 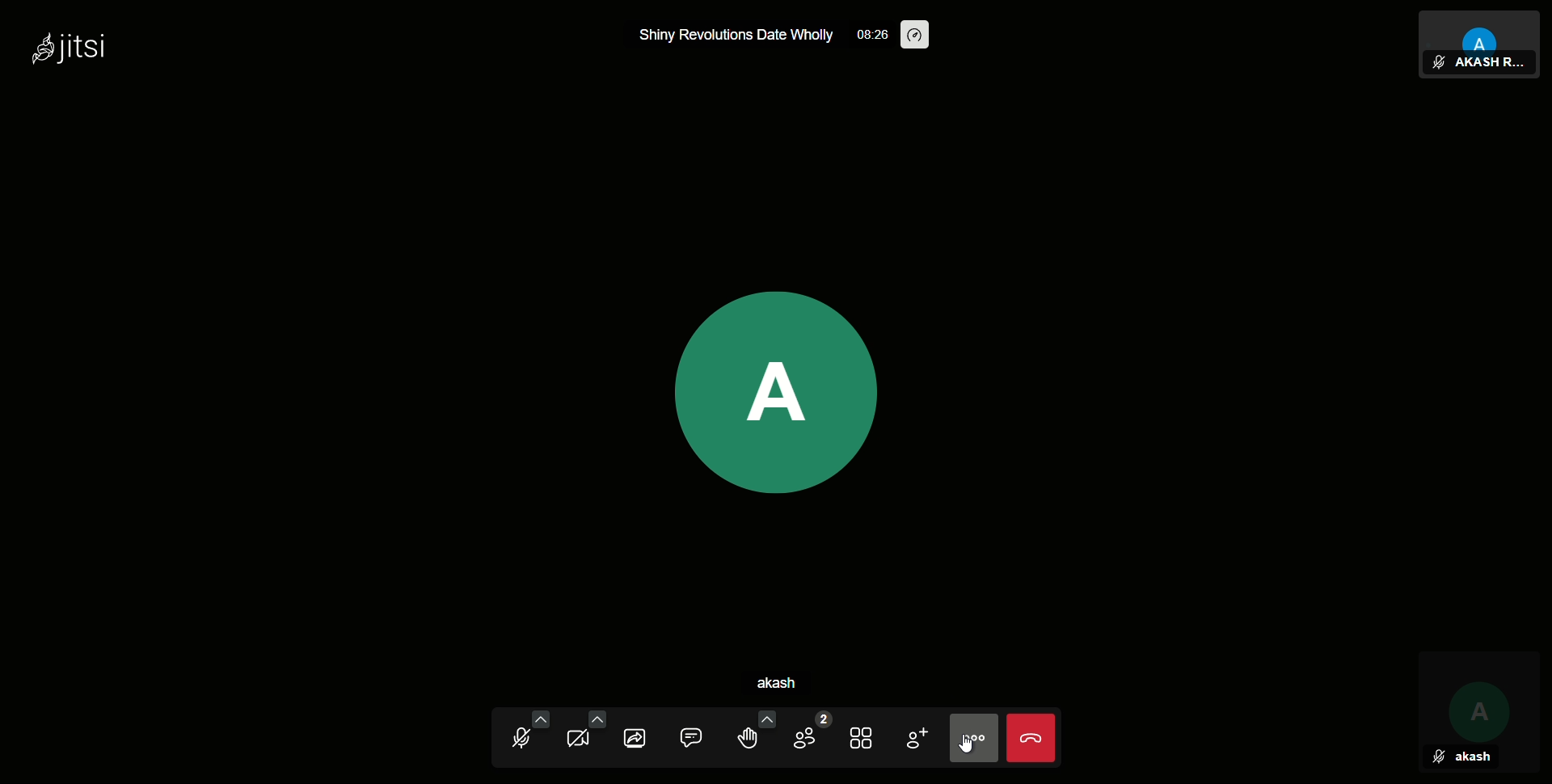 I want to click on time, so click(x=874, y=34).